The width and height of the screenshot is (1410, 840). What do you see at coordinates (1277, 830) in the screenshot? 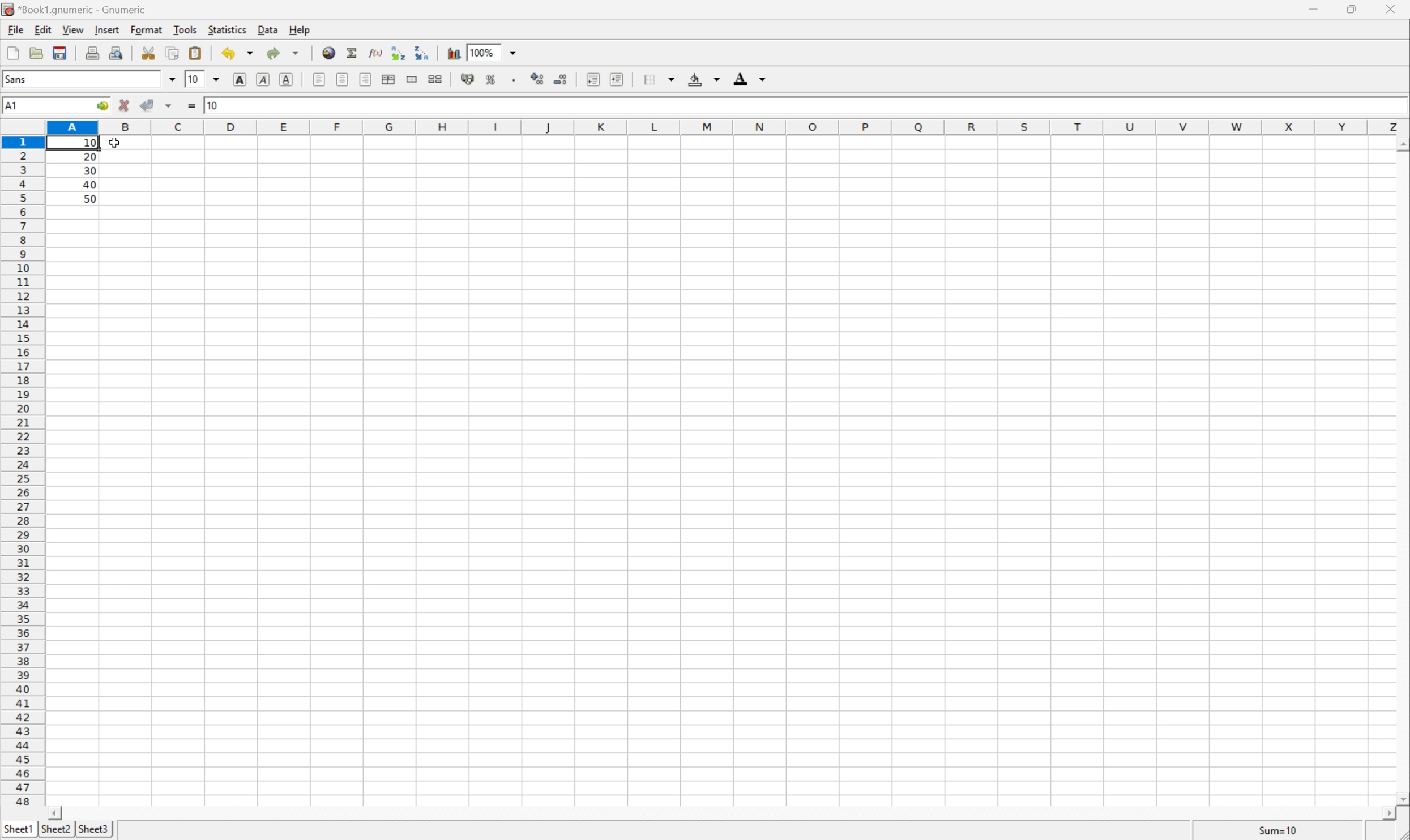
I see `Sum=10` at bounding box center [1277, 830].